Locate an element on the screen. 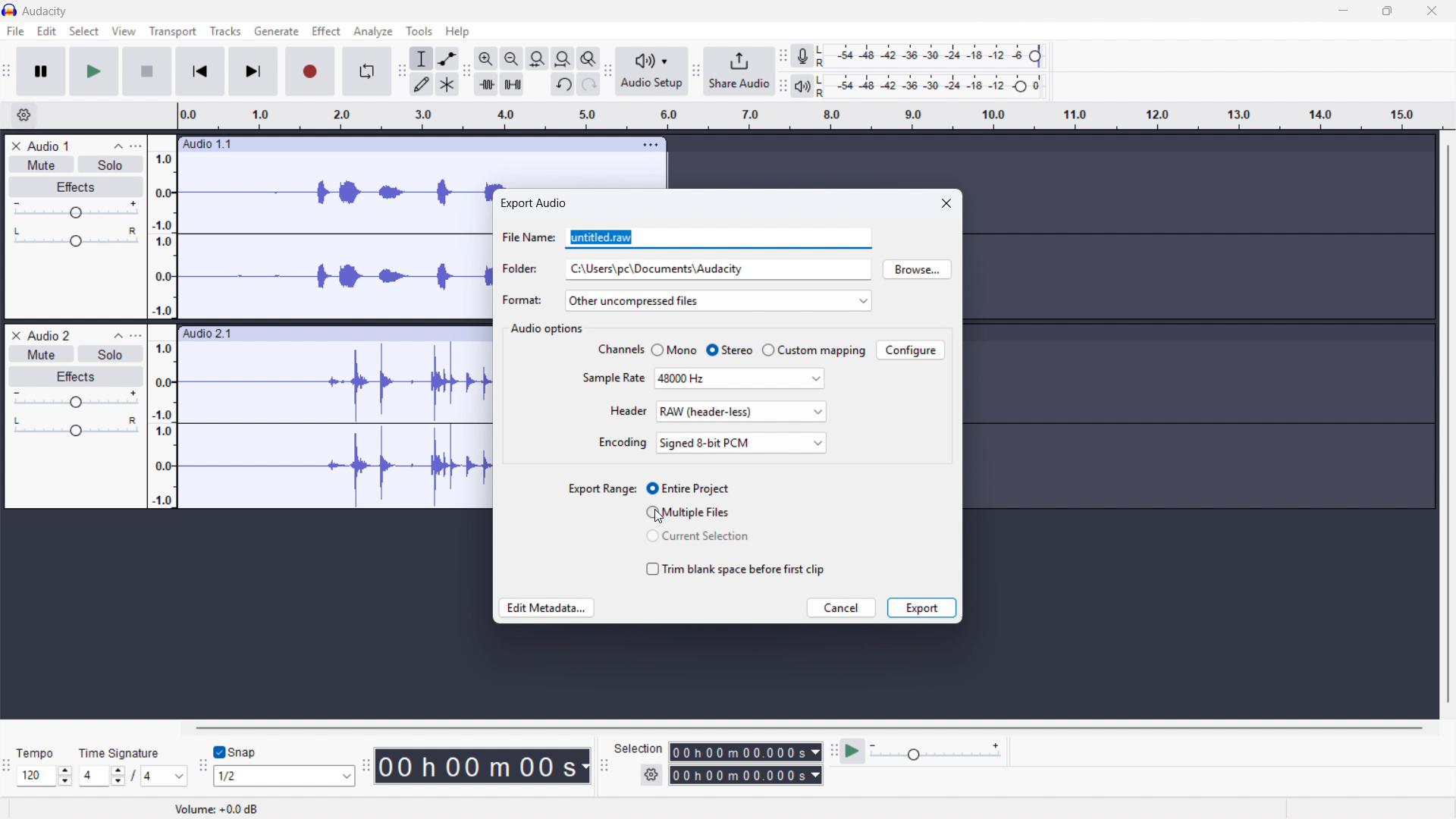  Edit metadata is located at coordinates (546, 607).